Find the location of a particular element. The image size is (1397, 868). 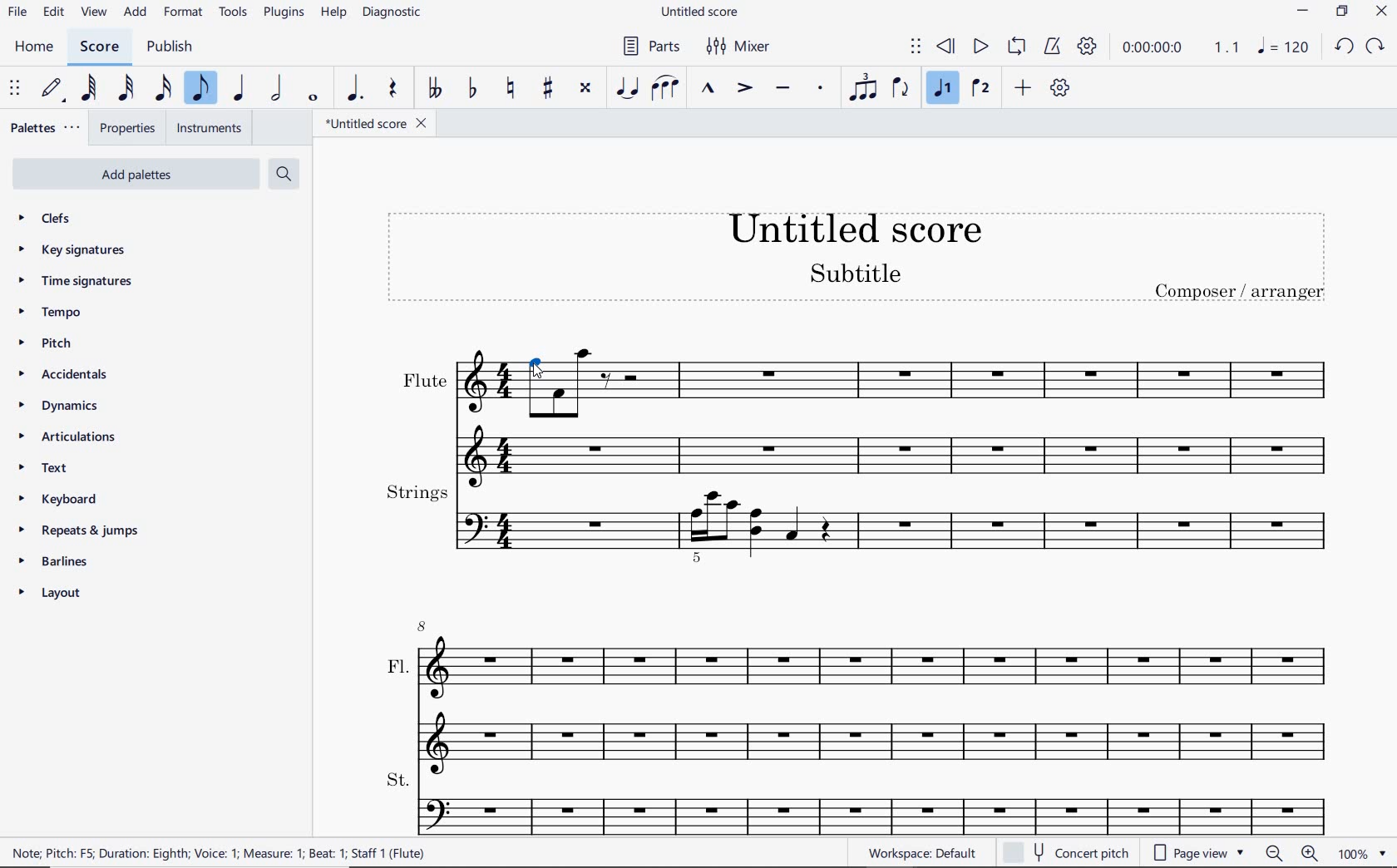

TOGGLE SHARP is located at coordinates (548, 87).